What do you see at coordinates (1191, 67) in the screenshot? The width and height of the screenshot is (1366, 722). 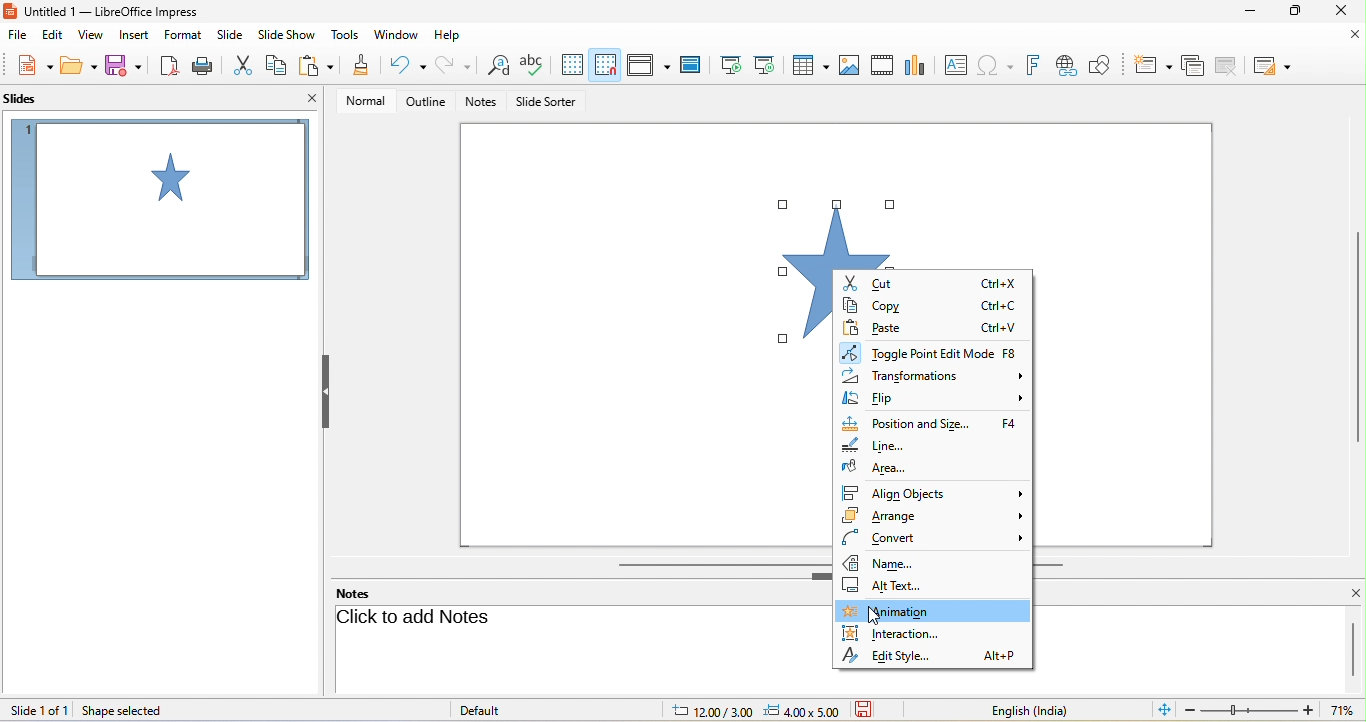 I see `delete slide` at bounding box center [1191, 67].